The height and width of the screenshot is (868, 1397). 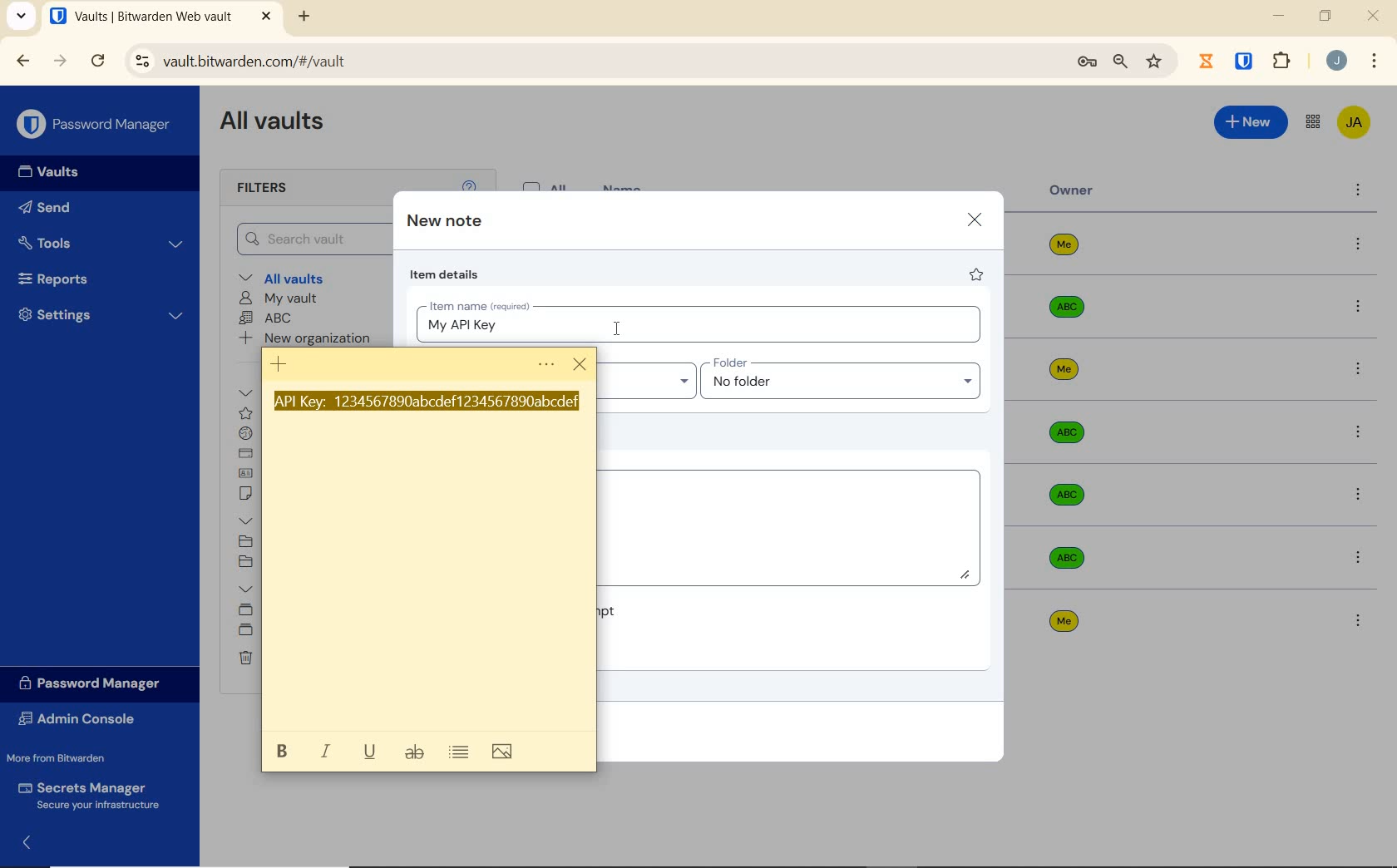 What do you see at coordinates (266, 17) in the screenshot?
I see `CLOSE` at bounding box center [266, 17].